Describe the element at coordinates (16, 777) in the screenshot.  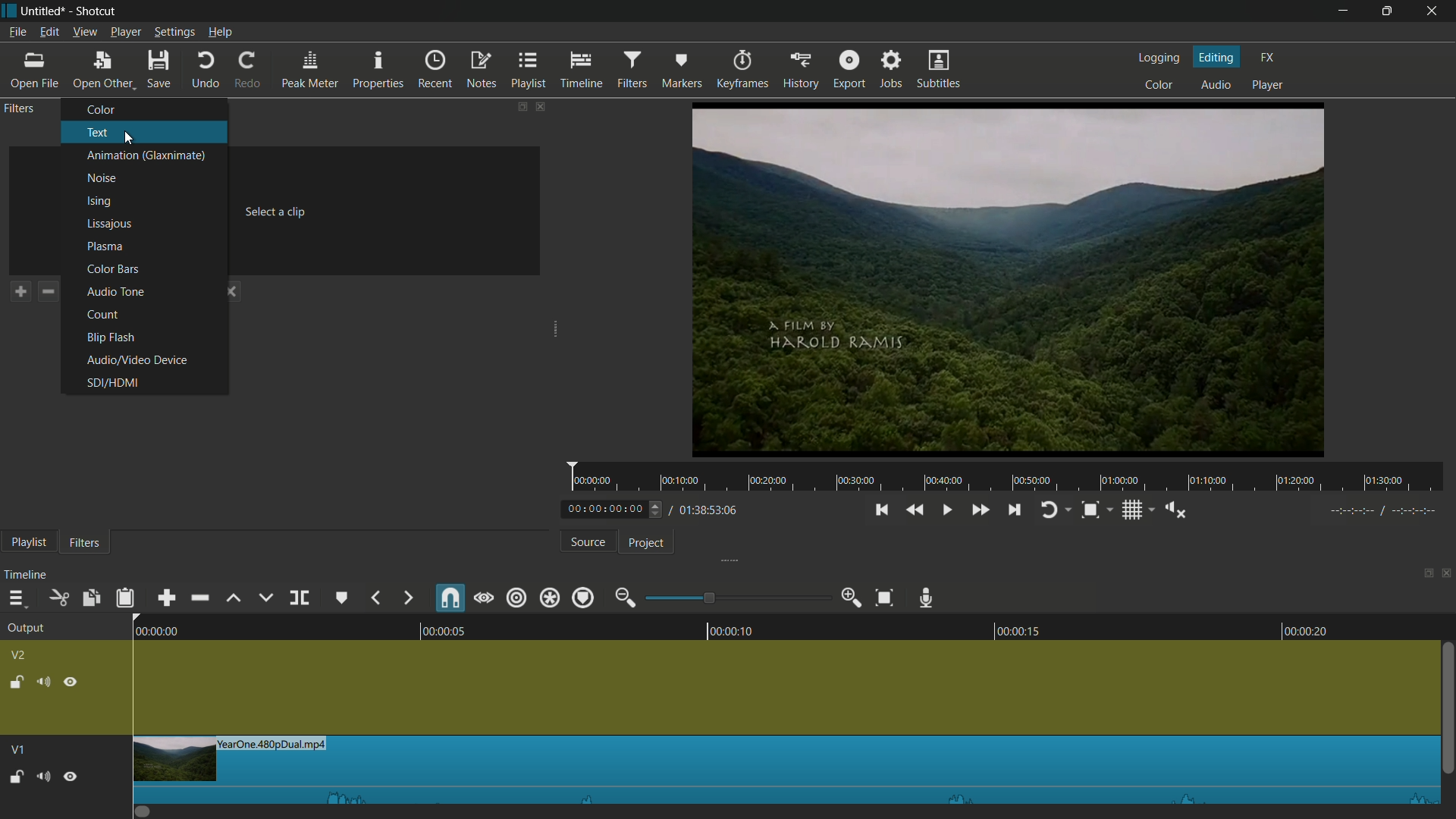
I see `Unlock` at that location.